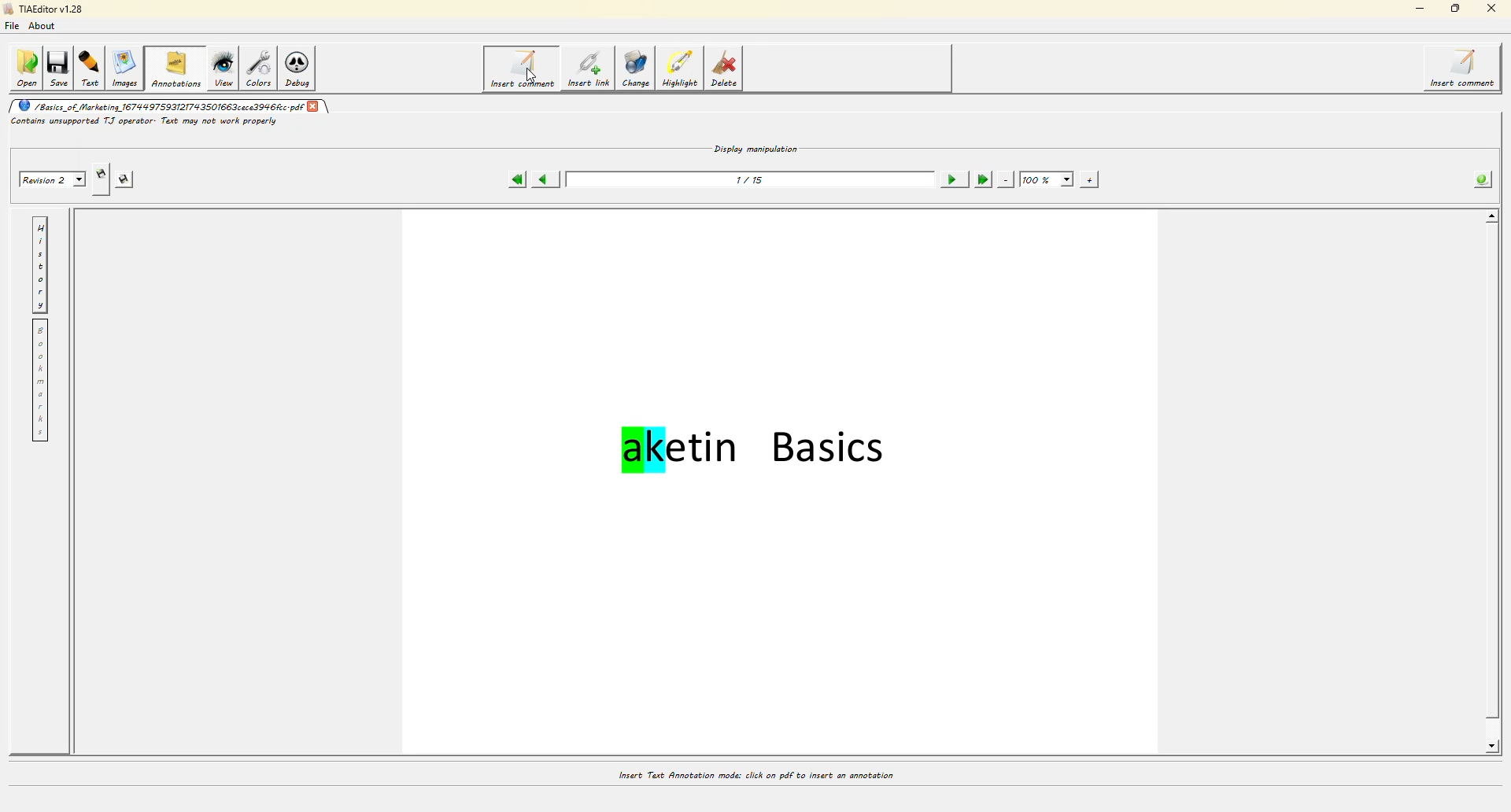 The width and height of the screenshot is (1511, 812). Describe the element at coordinates (1480, 180) in the screenshot. I see `info about the pdf` at that location.